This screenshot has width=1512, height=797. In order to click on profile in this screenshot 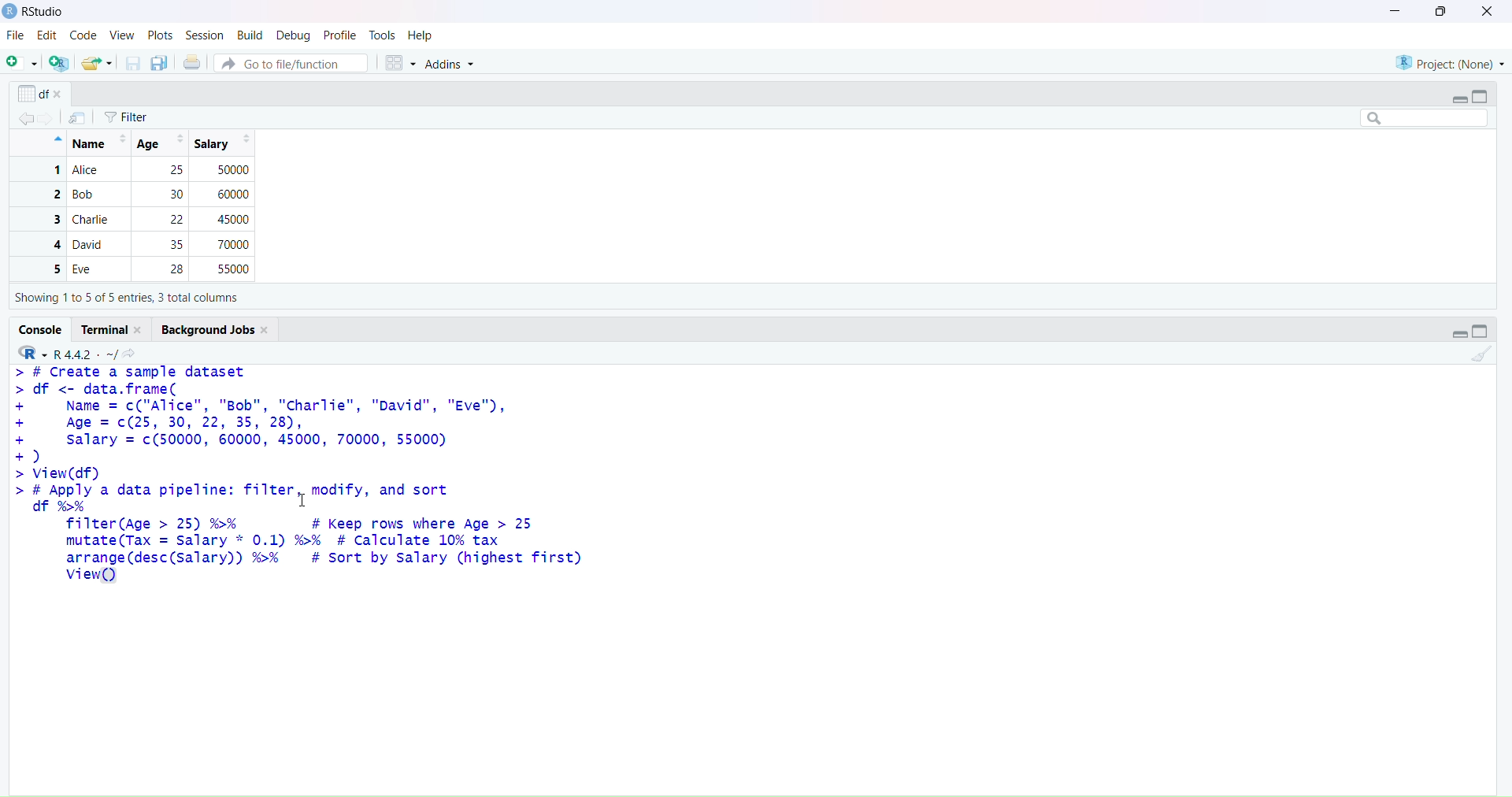, I will do `click(341, 35)`.